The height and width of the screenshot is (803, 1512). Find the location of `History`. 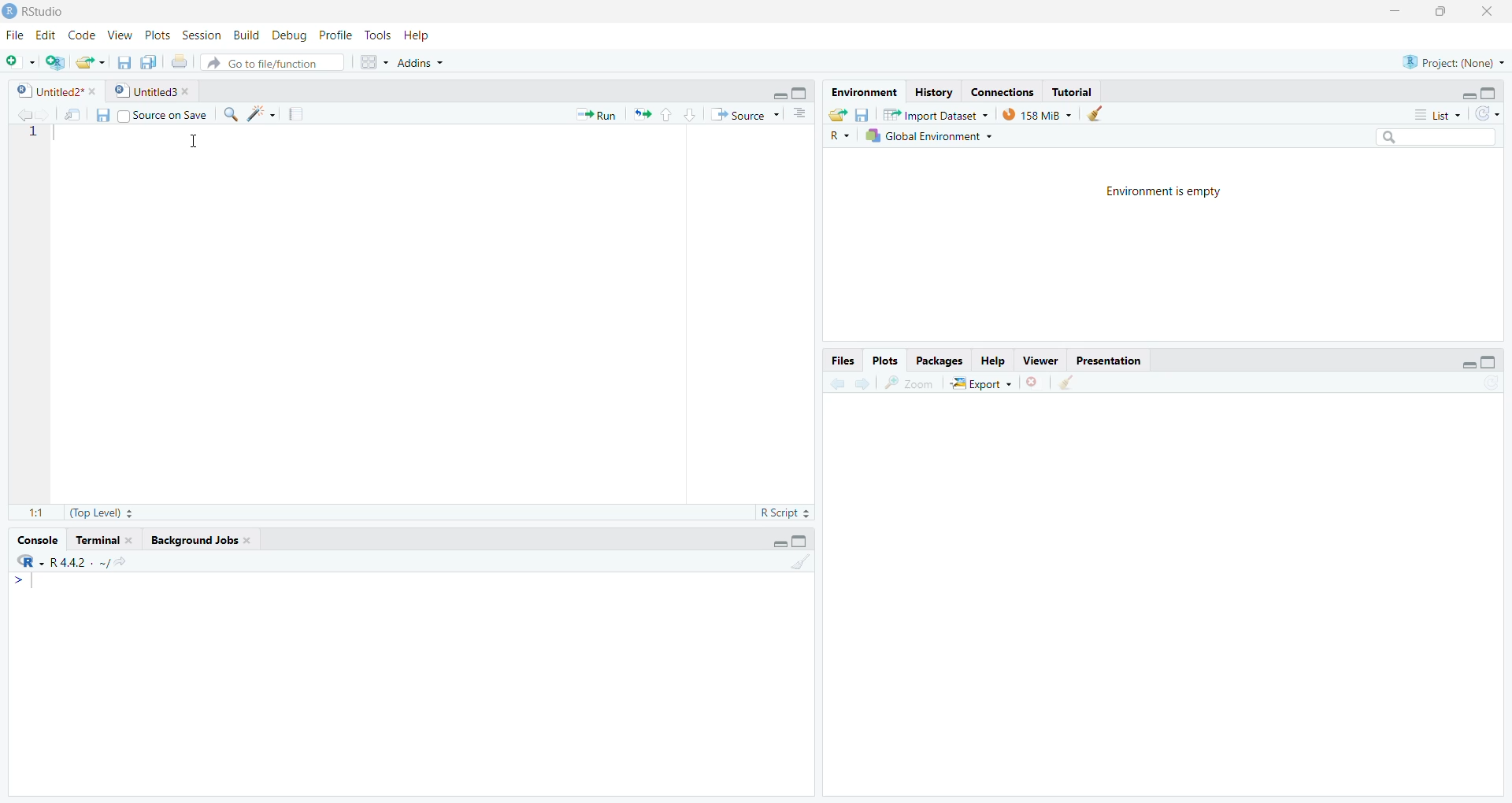

History is located at coordinates (932, 91).